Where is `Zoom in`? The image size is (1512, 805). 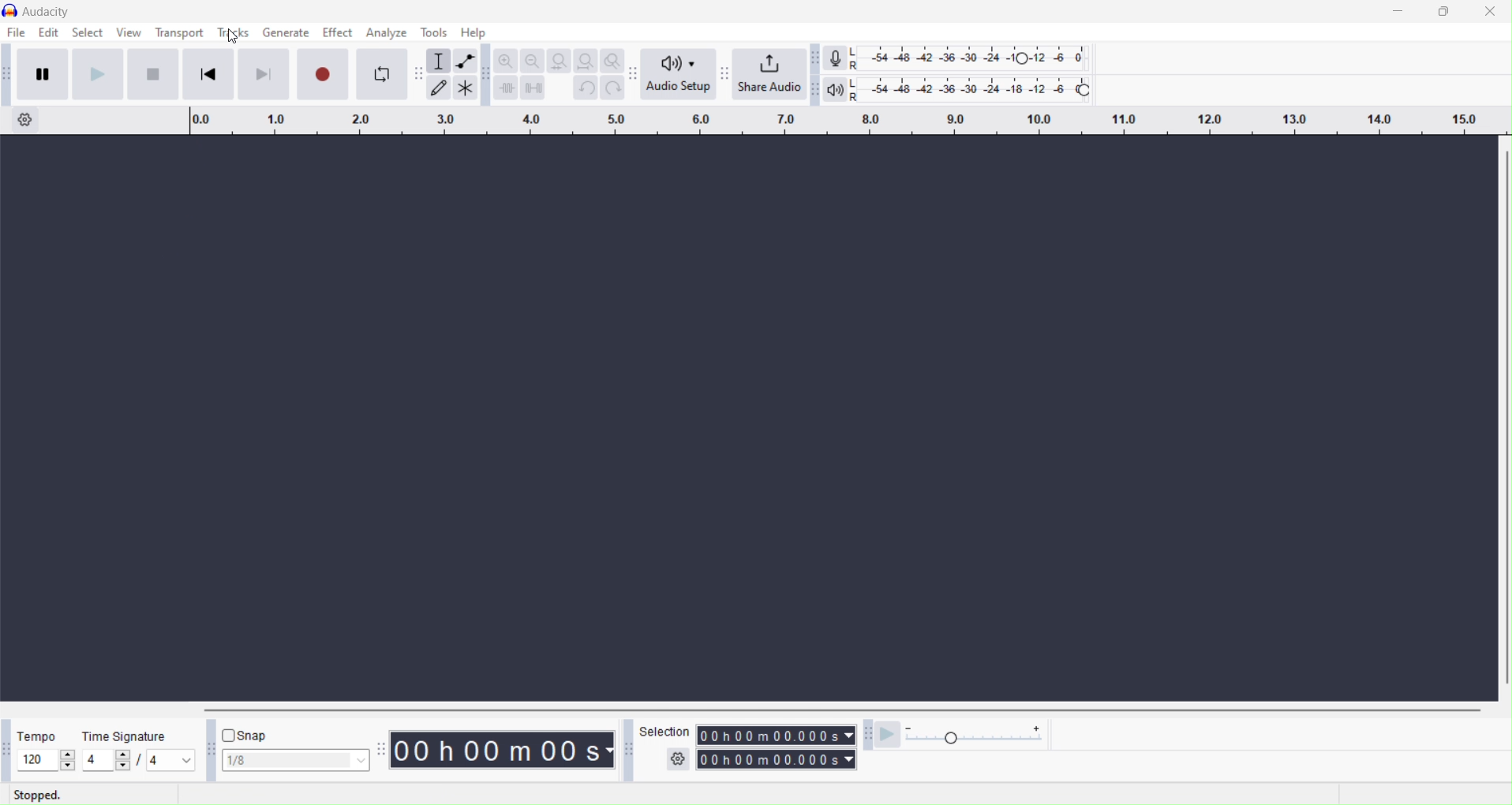 Zoom in is located at coordinates (507, 61).